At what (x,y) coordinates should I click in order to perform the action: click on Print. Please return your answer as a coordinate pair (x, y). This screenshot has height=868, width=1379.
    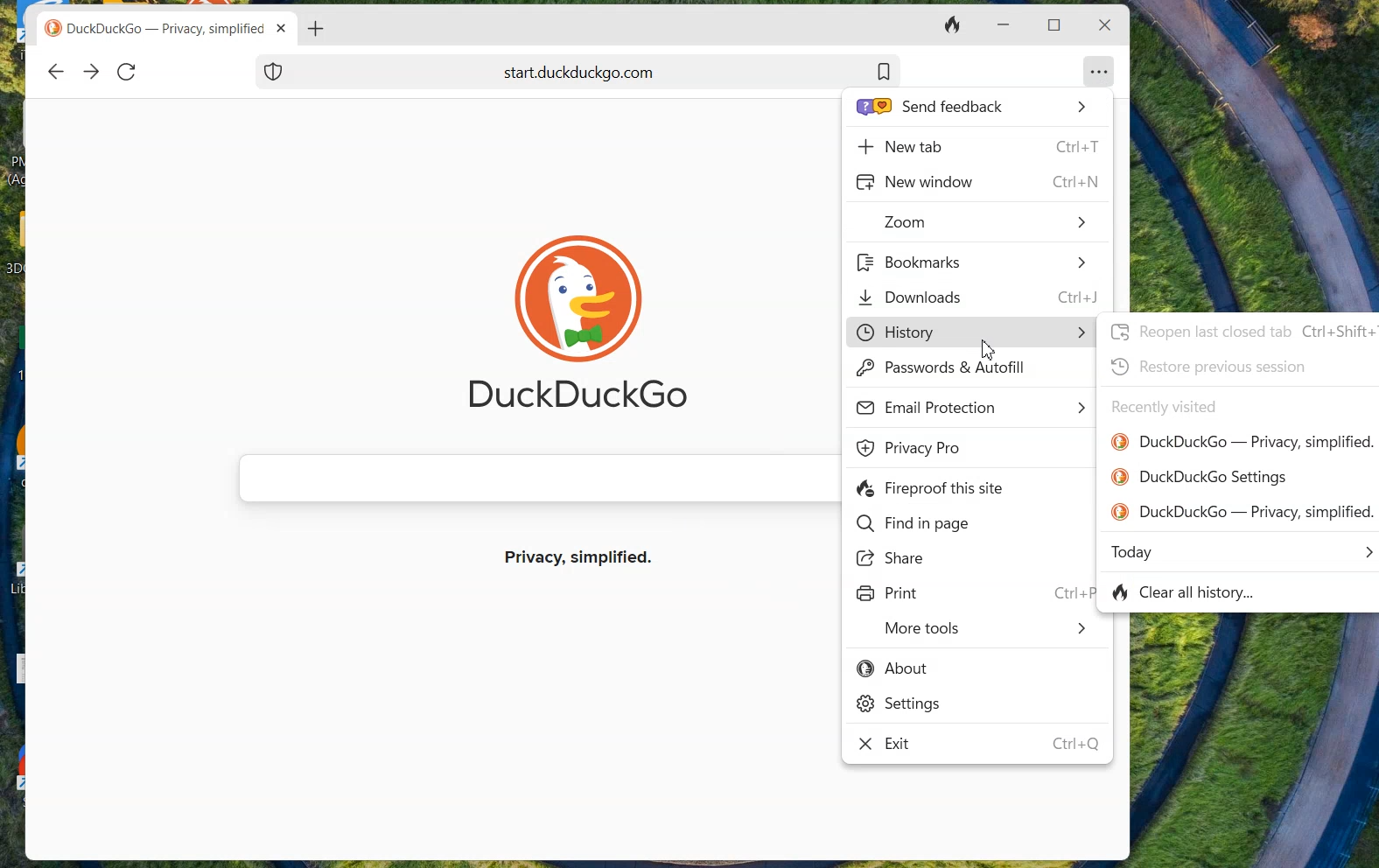
    Looking at the image, I should click on (889, 594).